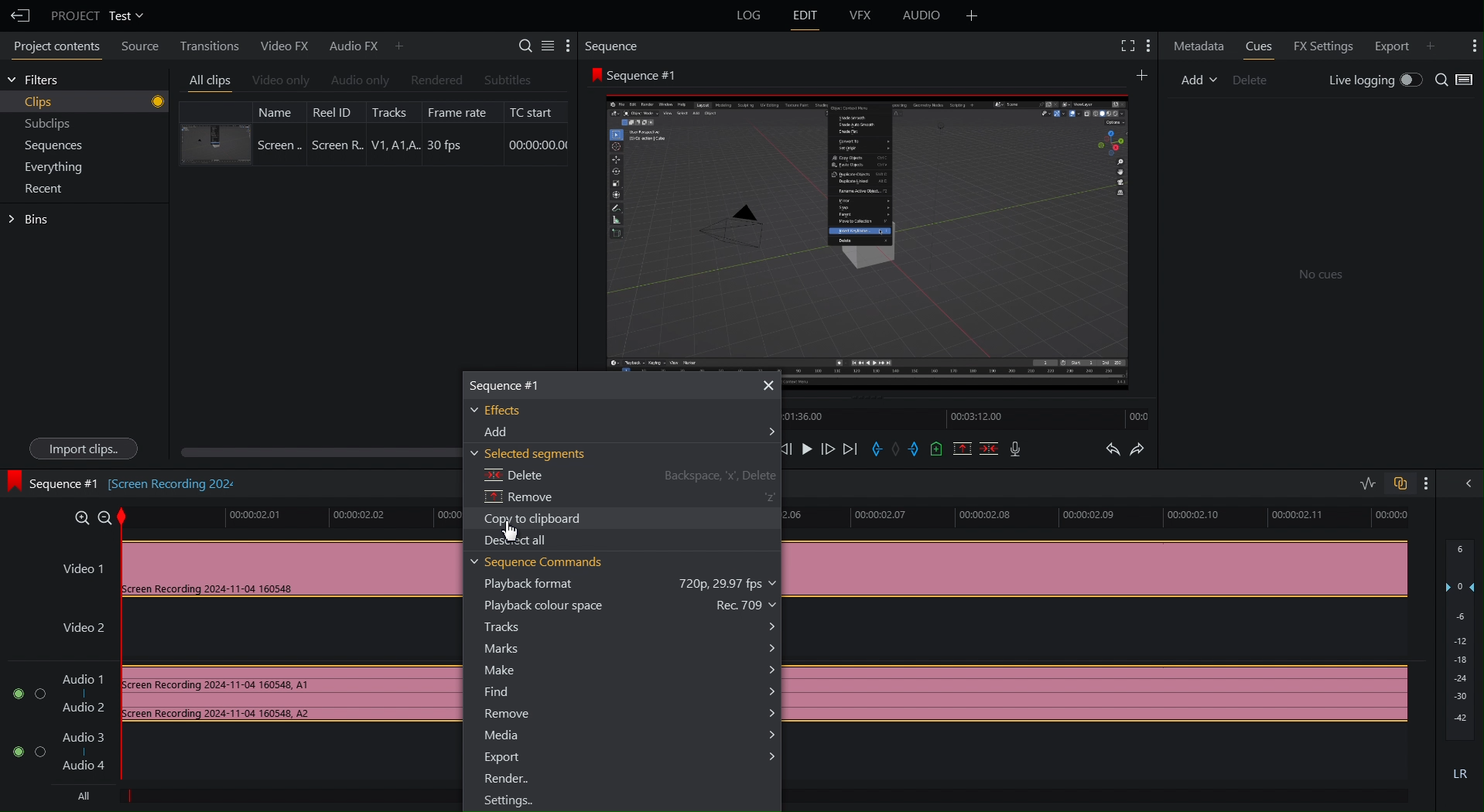 The image size is (1484, 812). I want to click on Audio Levels, so click(1460, 666).